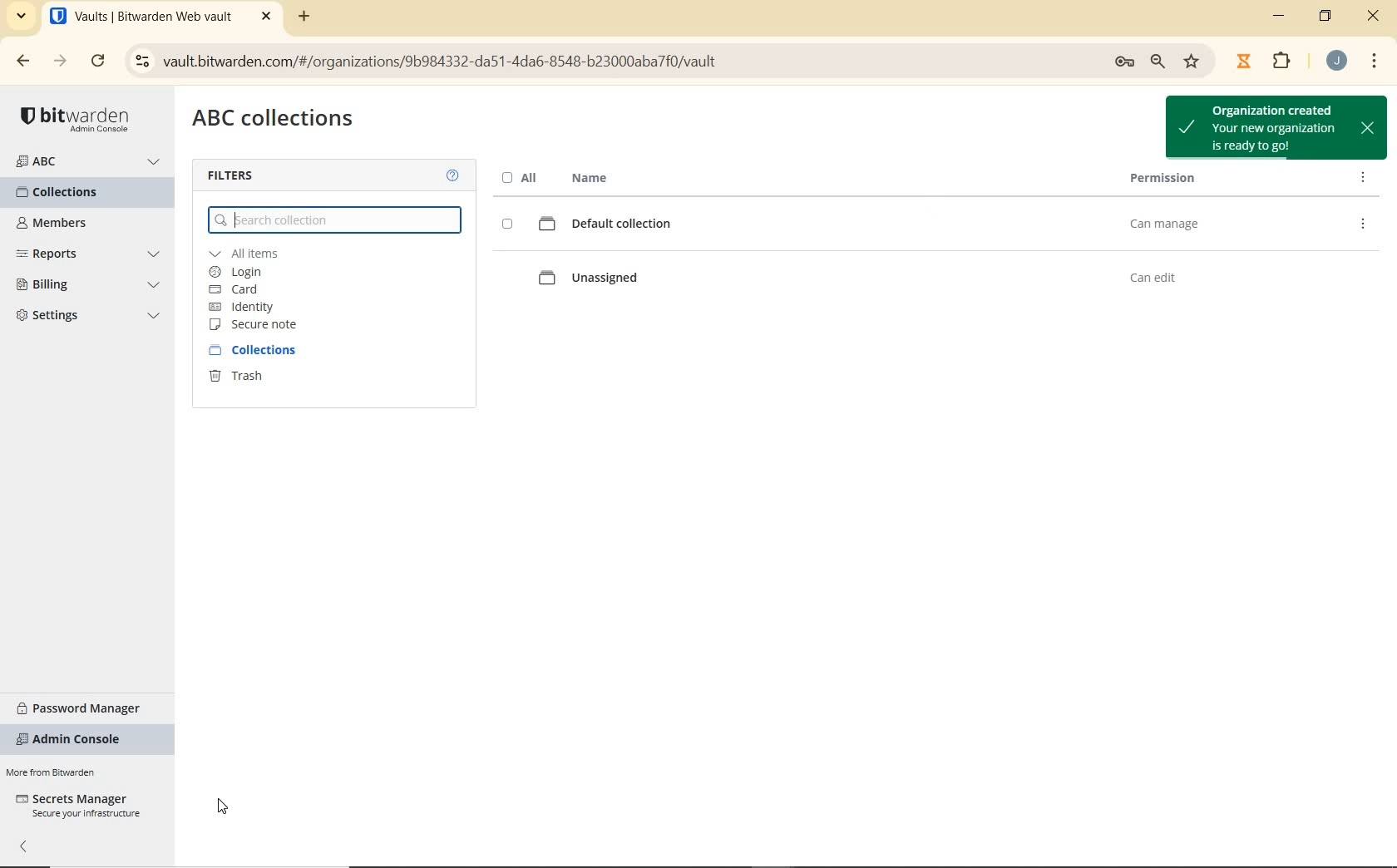 Image resolution: width=1397 pixels, height=868 pixels. What do you see at coordinates (1243, 59) in the screenshot?
I see `JIBBLE` at bounding box center [1243, 59].